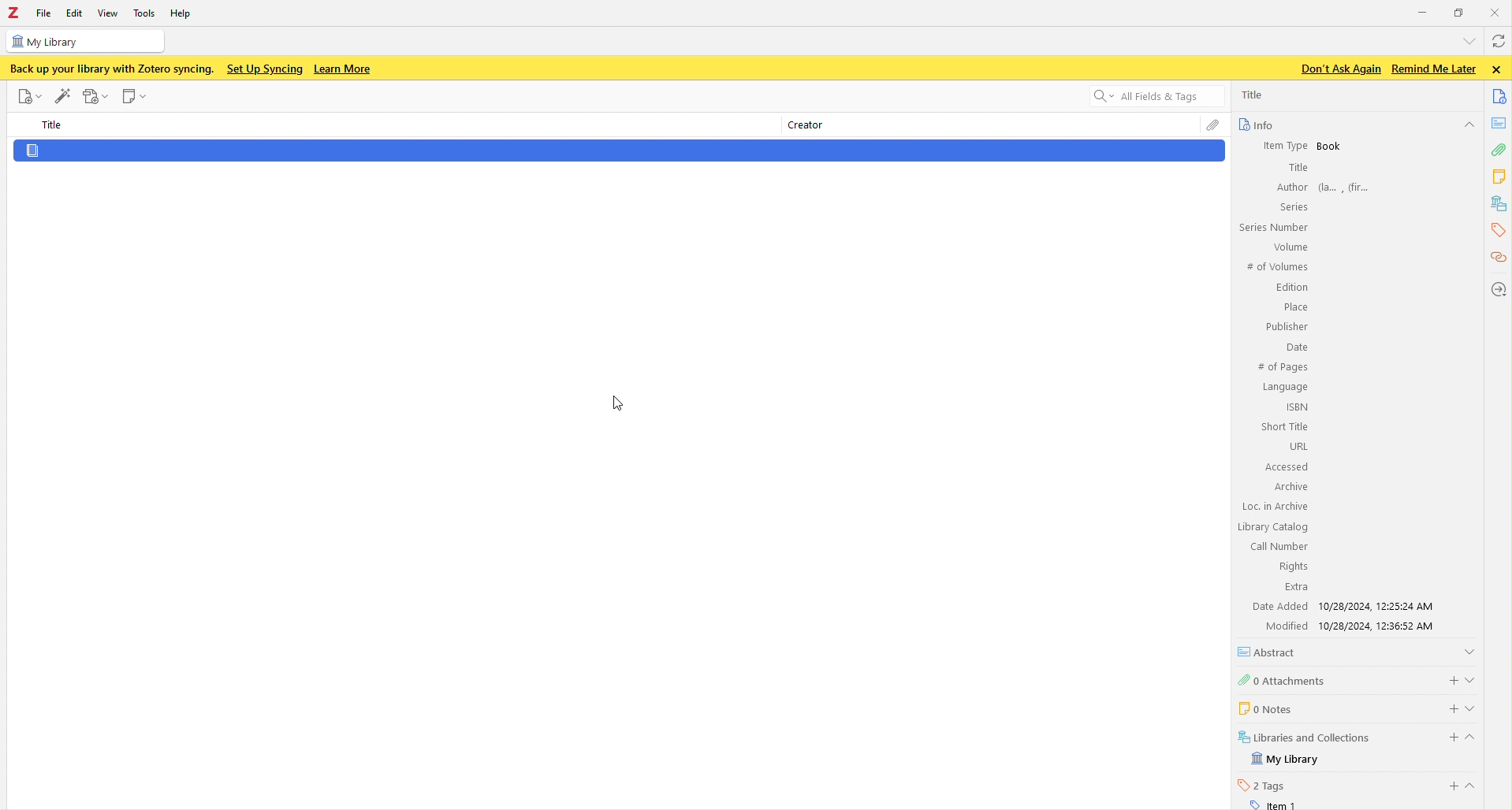  I want to click on Book, so click(1330, 147).